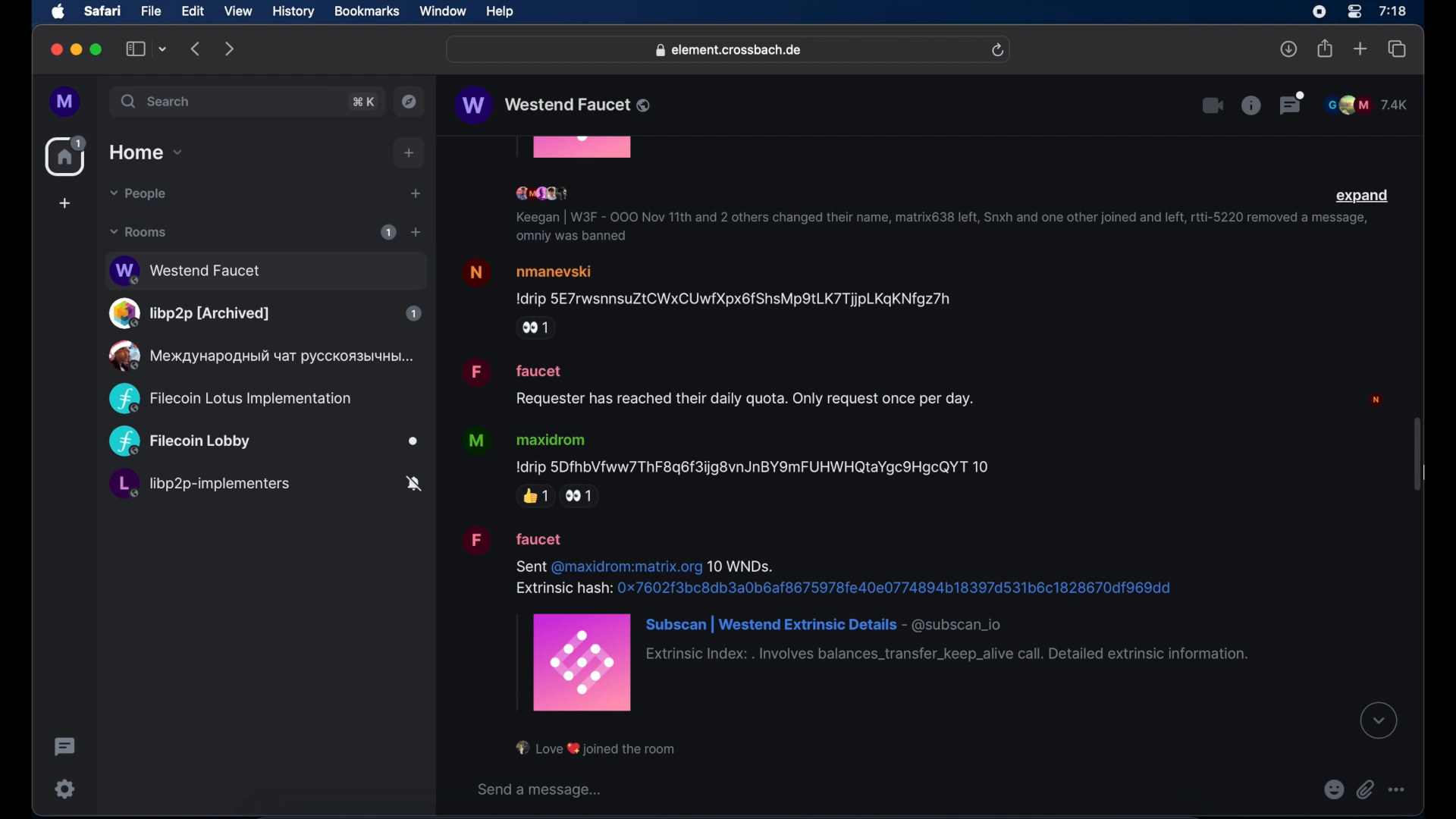  I want to click on send a message, so click(542, 789).